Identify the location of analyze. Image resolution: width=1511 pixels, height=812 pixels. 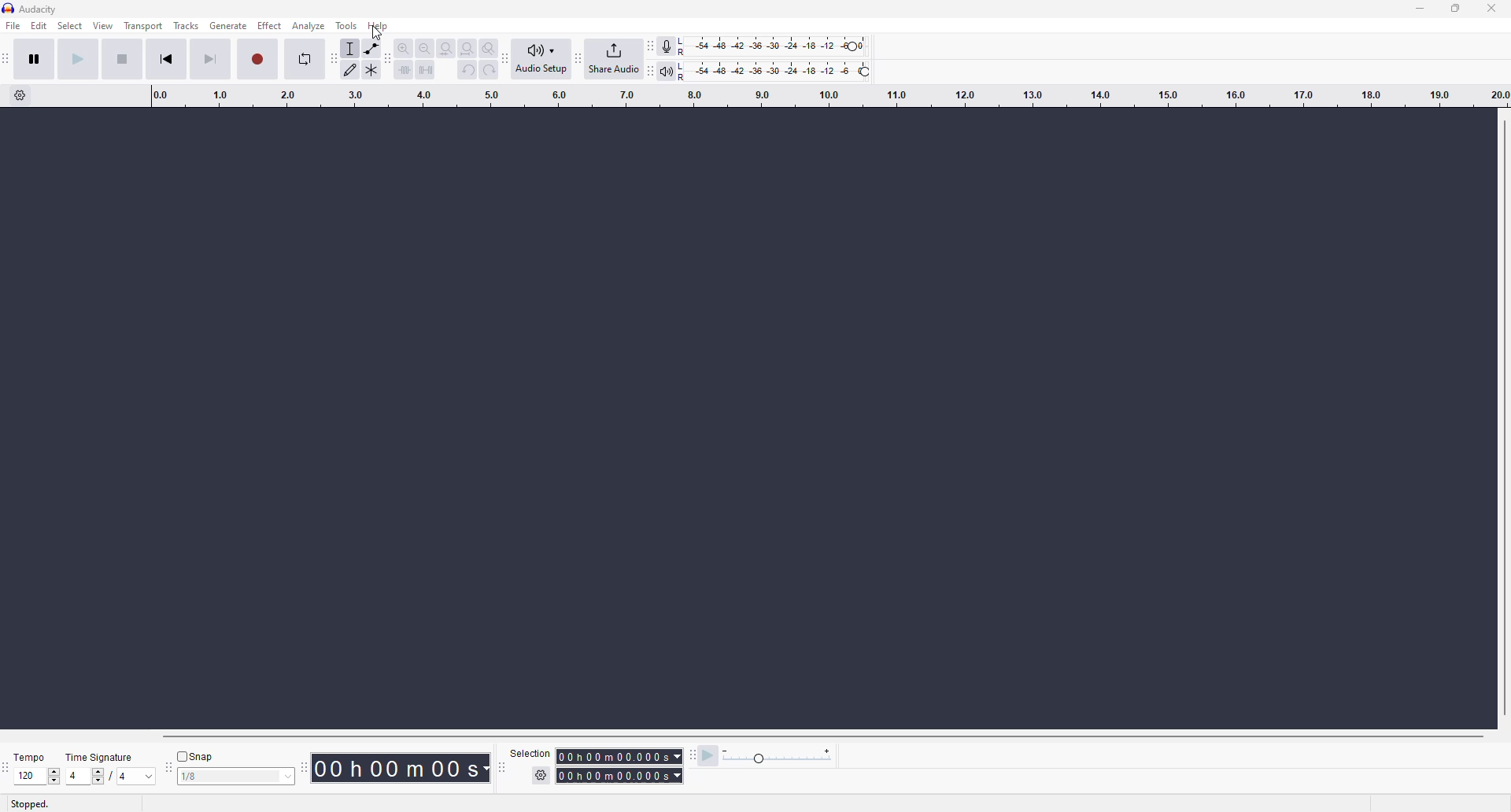
(308, 26).